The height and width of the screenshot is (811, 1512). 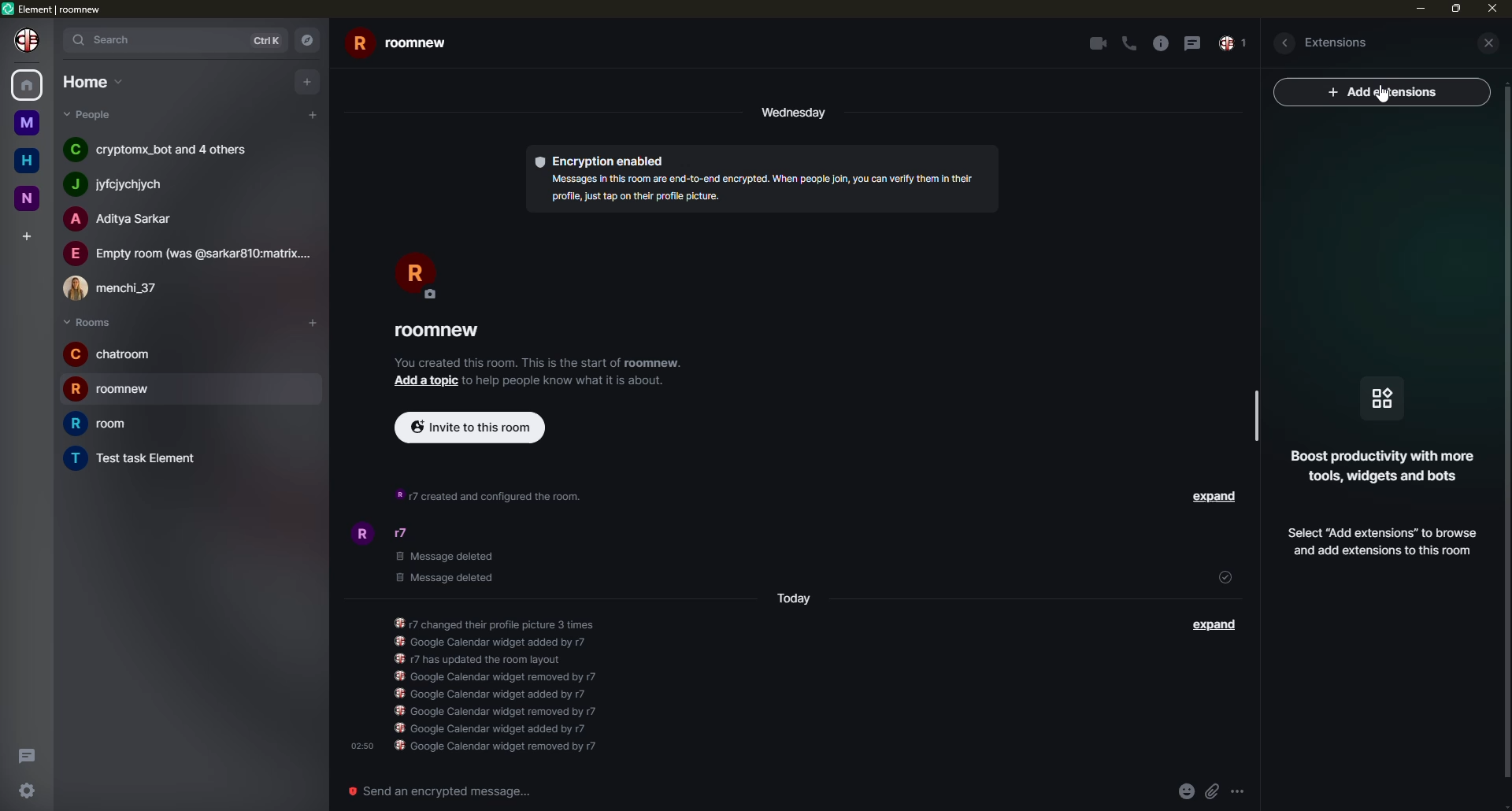 What do you see at coordinates (1381, 96) in the screenshot?
I see `cursor` at bounding box center [1381, 96].